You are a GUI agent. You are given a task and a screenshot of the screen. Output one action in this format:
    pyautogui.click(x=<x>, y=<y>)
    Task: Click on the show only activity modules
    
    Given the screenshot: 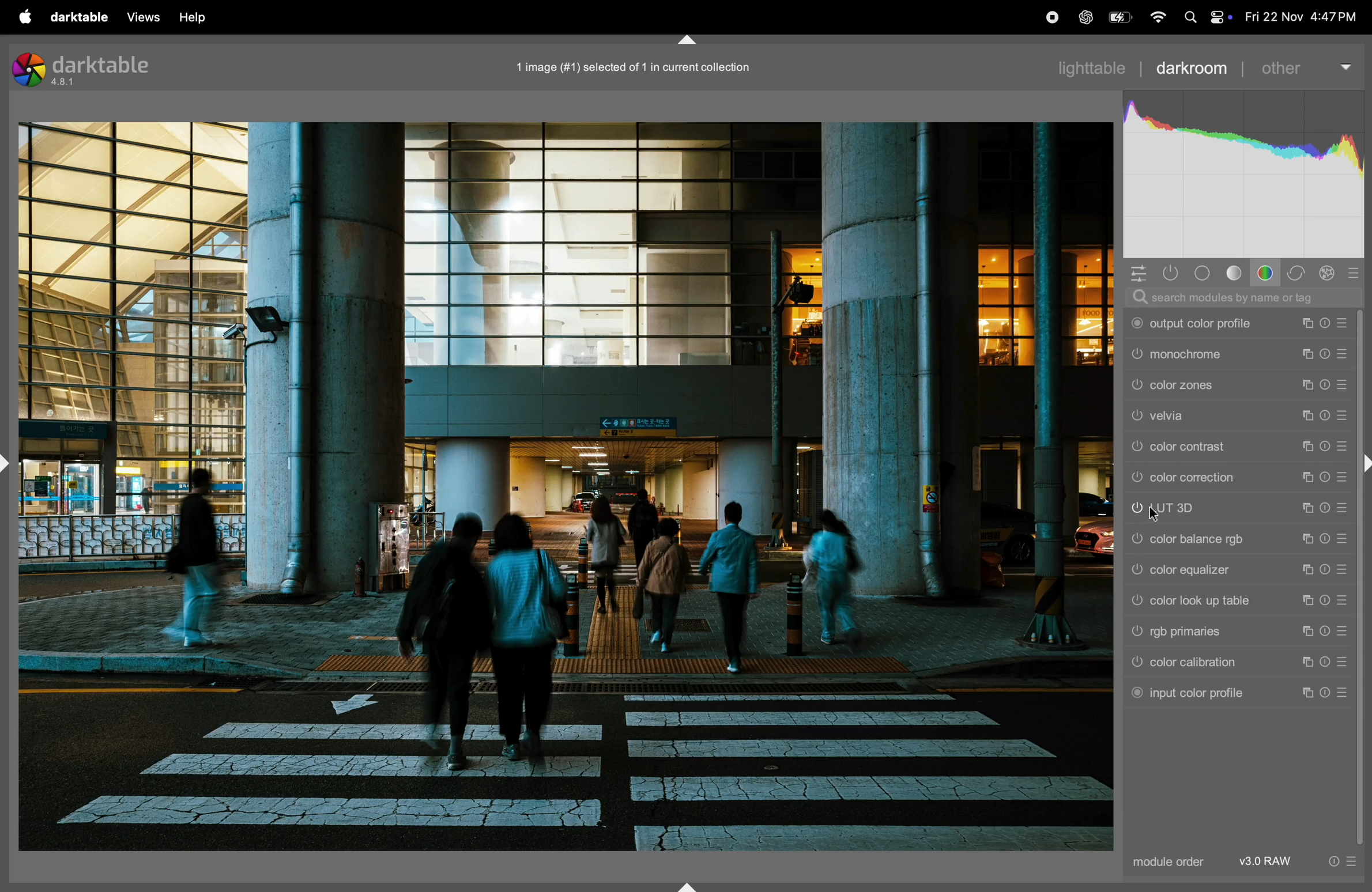 What is the action you would take?
    pyautogui.click(x=1171, y=274)
    